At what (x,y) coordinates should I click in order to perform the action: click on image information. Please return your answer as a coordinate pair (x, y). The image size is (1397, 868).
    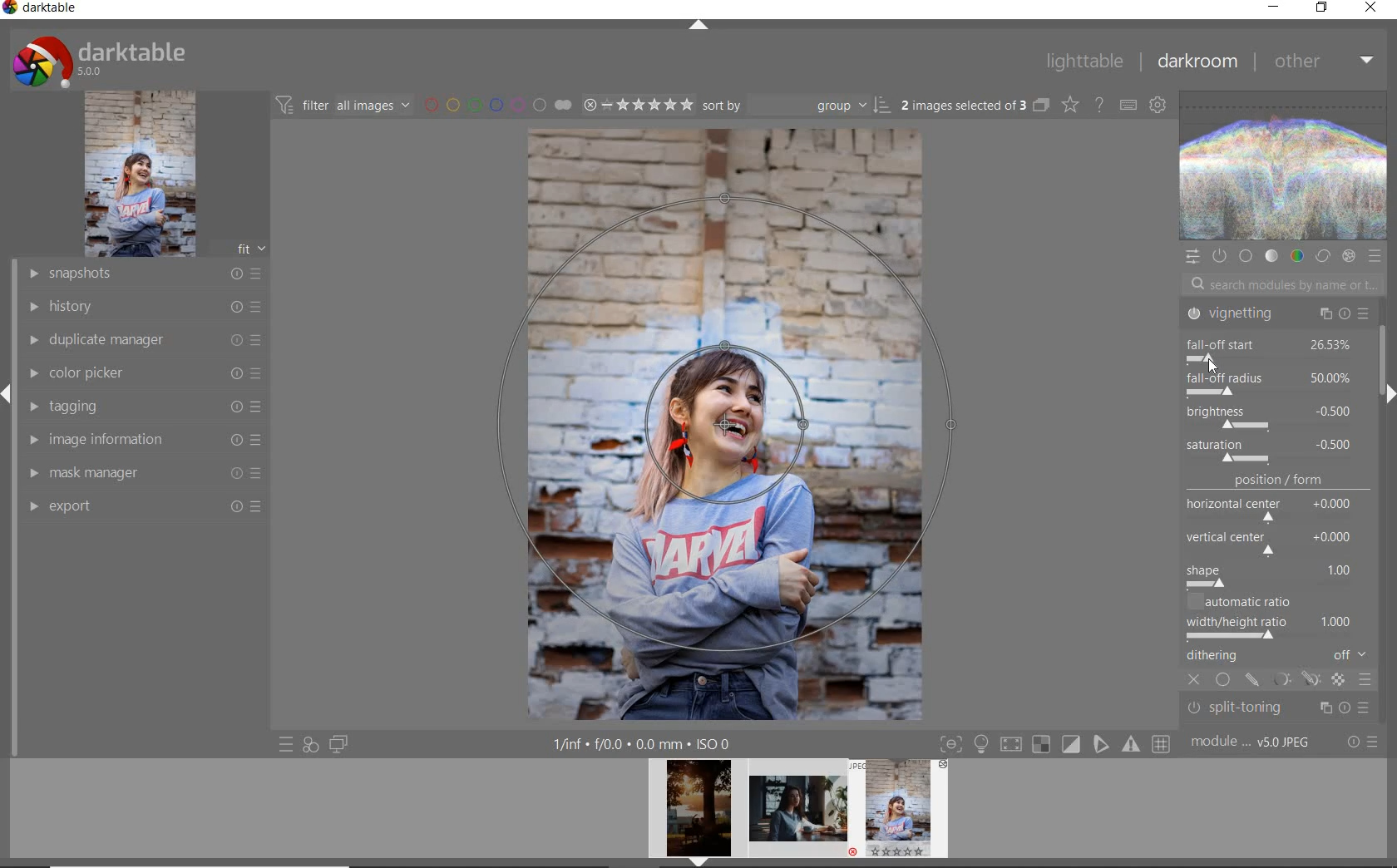
    Looking at the image, I should click on (144, 438).